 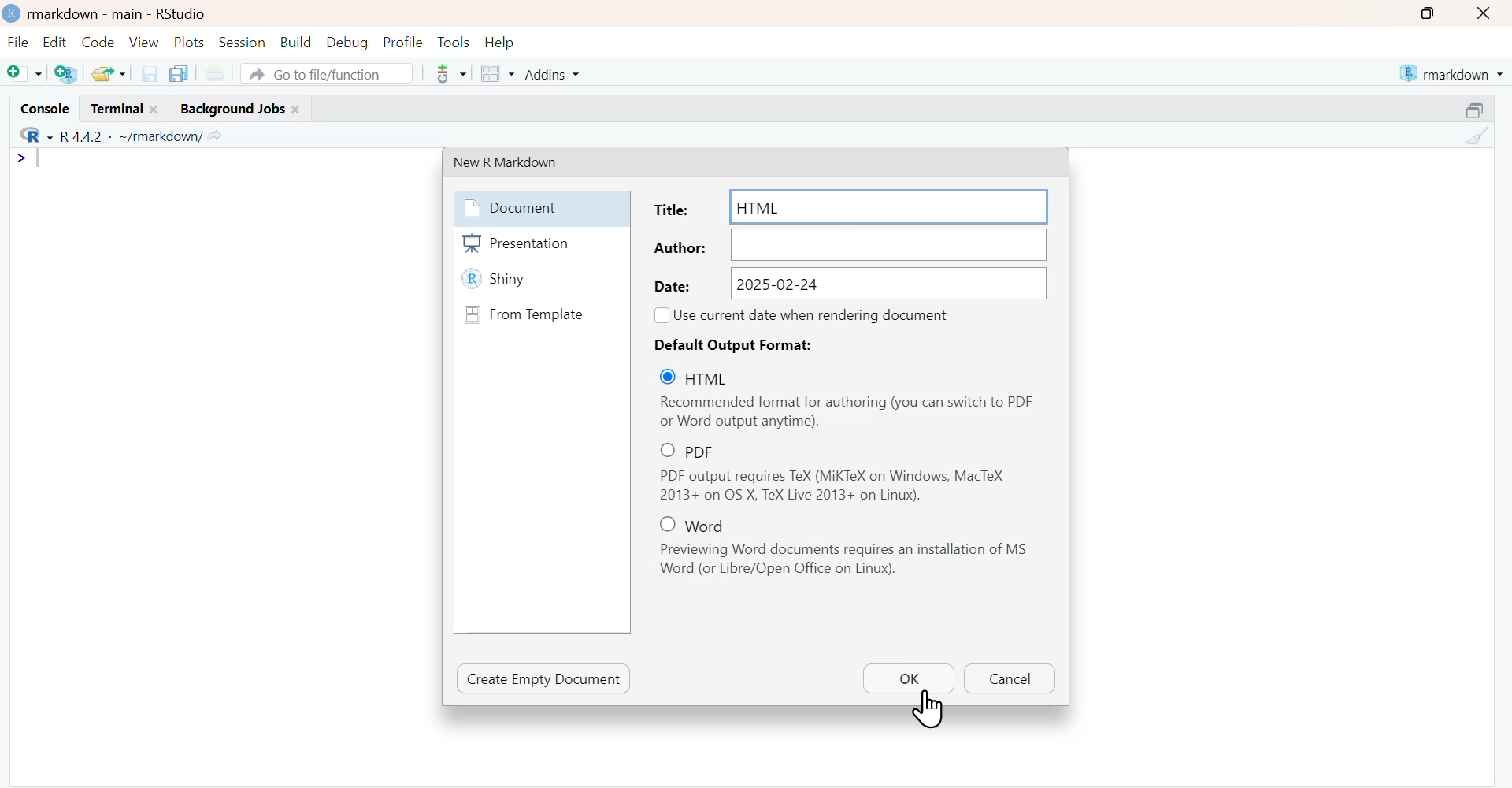 What do you see at coordinates (243, 43) in the screenshot?
I see `Session` at bounding box center [243, 43].